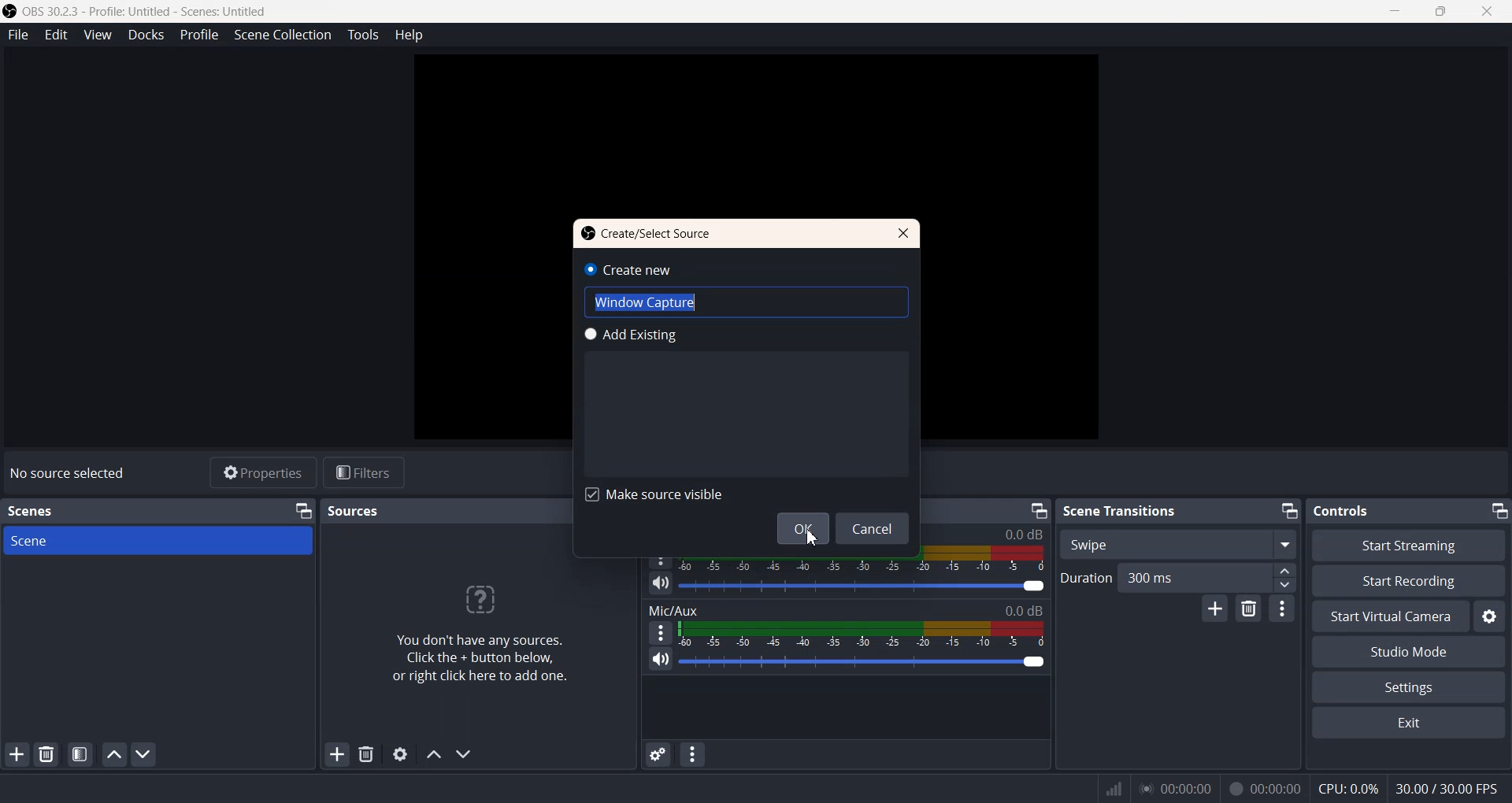  What do you see at coordinates (57, 35) in the screenshot?
I see `Edit` at bounding box center [57, 35].